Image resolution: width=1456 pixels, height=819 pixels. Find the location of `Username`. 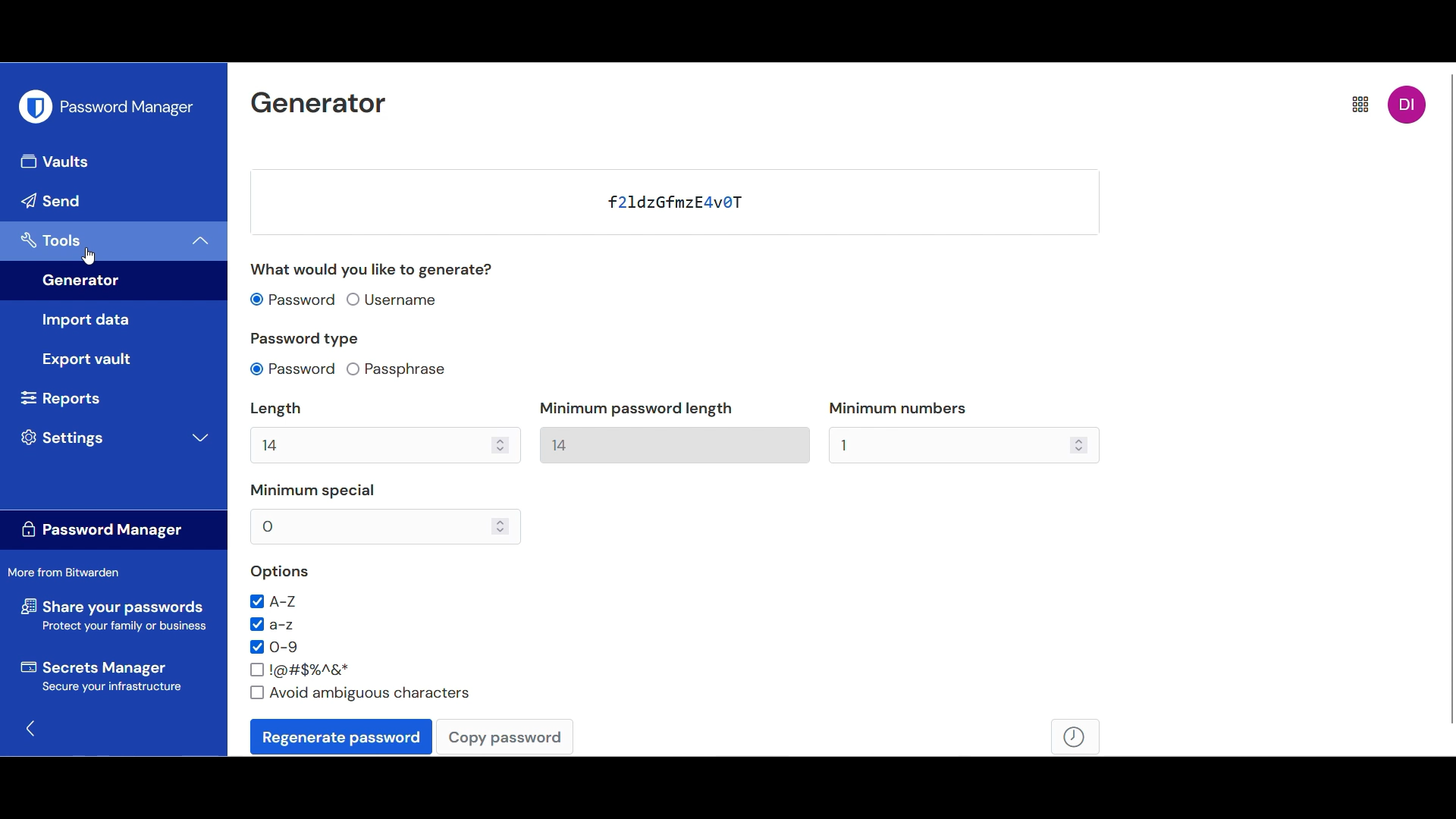

Username is located at coordinates (394, 300).